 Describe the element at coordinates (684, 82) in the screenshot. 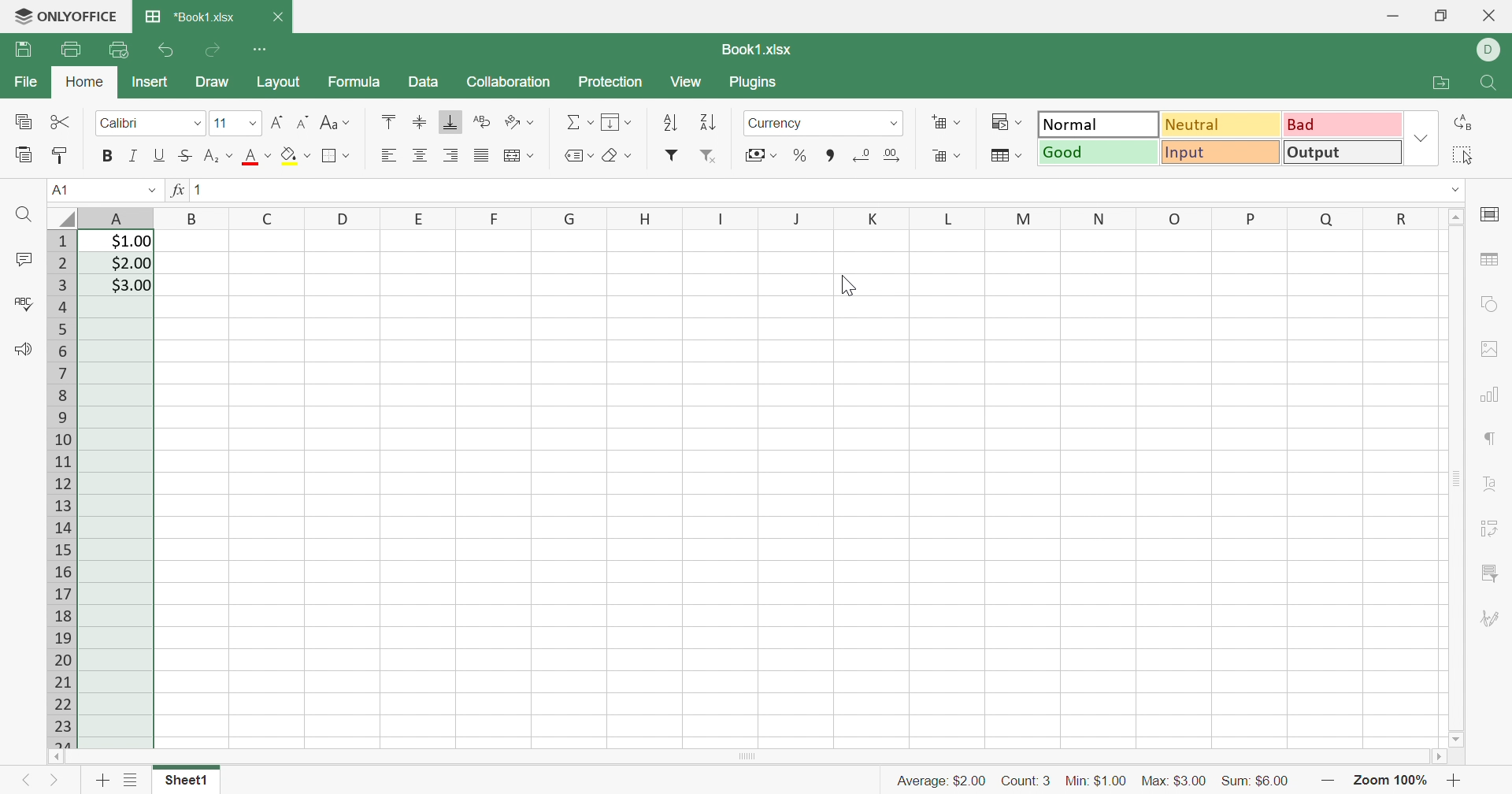

I see `View` at that location.